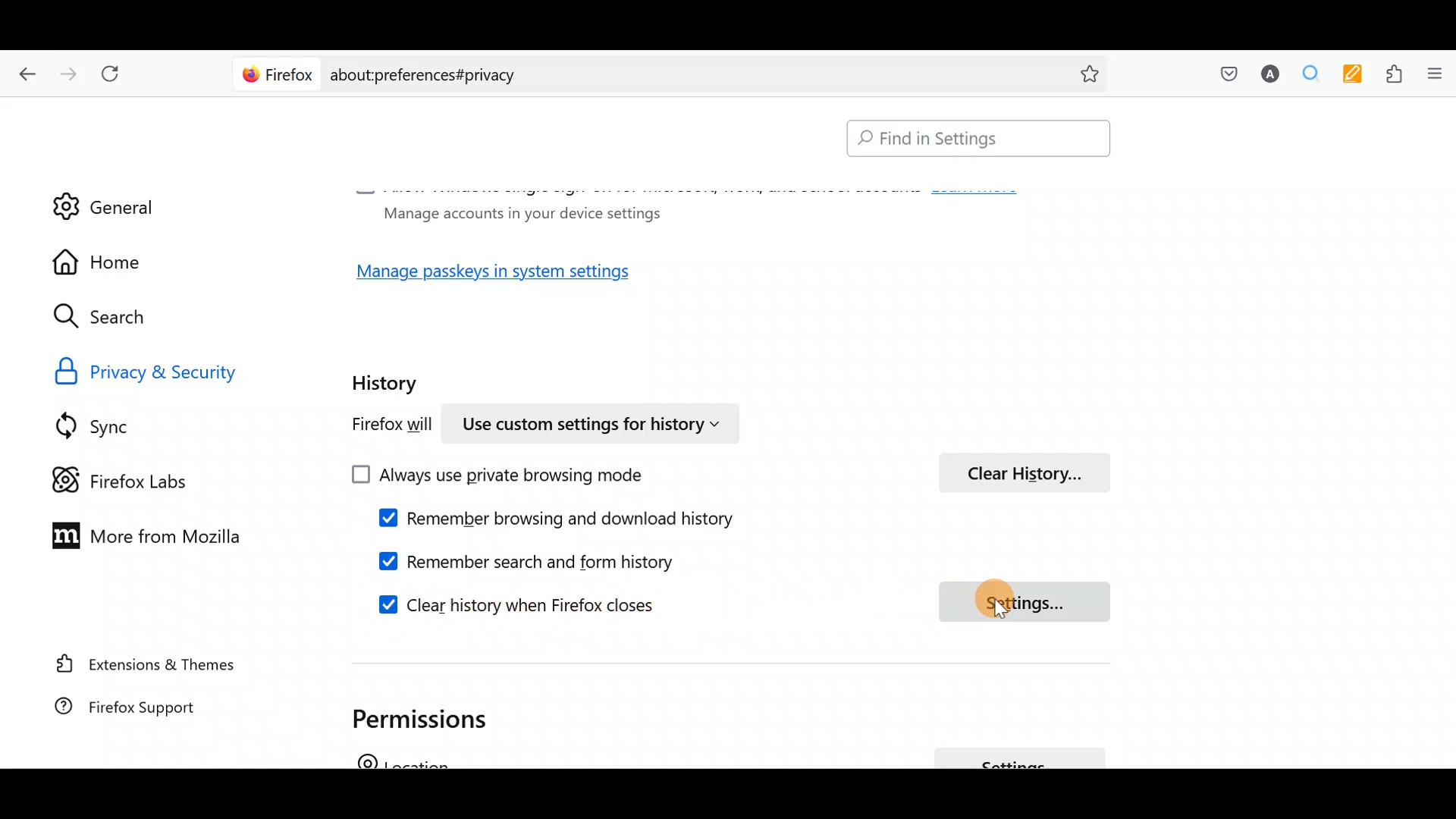 The width and height of the screenshot is (1456, 819). I want to click on Extensions, so click(1390, 74).